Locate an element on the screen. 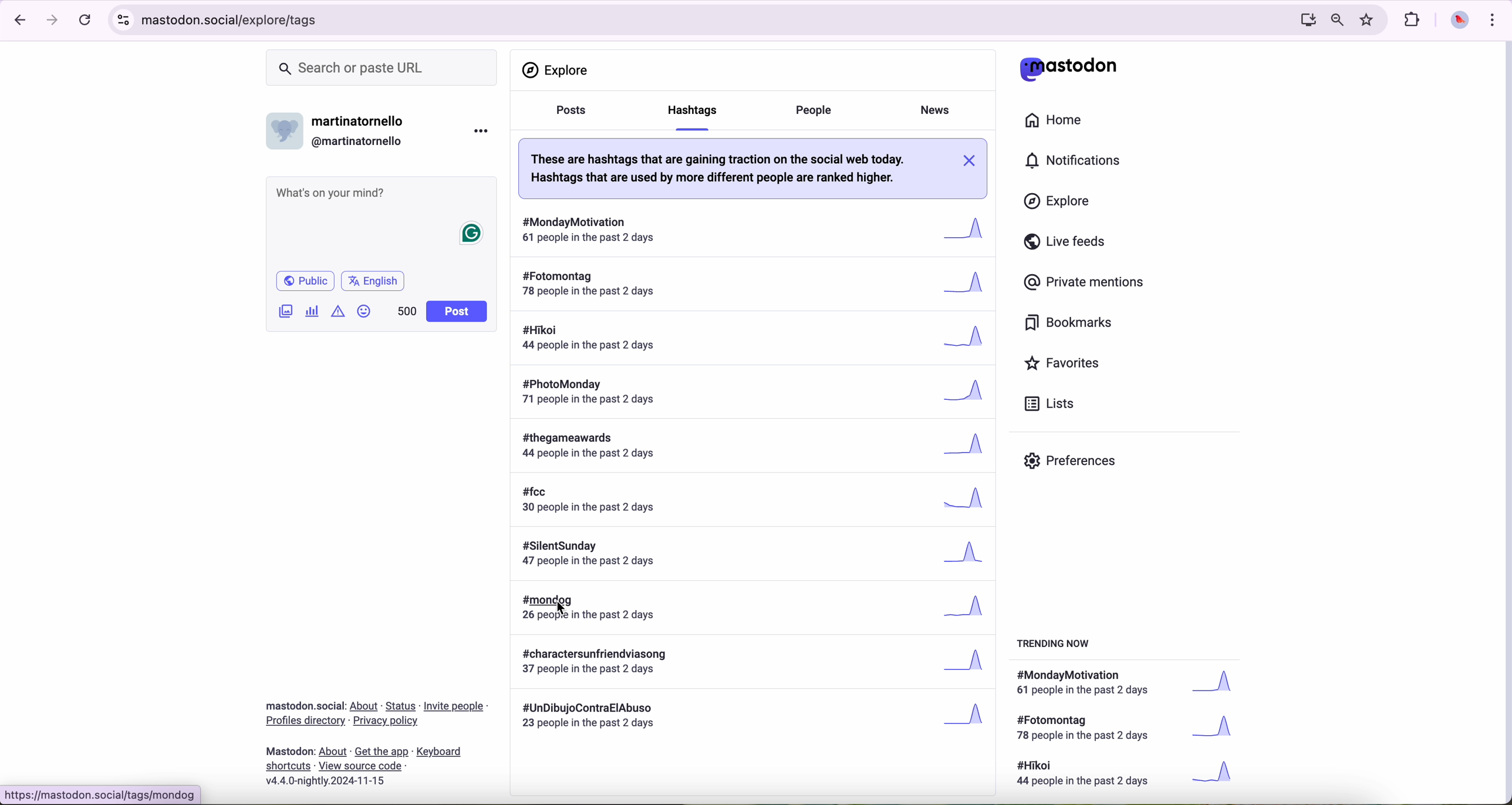  link is located at coordinates (305, 722).